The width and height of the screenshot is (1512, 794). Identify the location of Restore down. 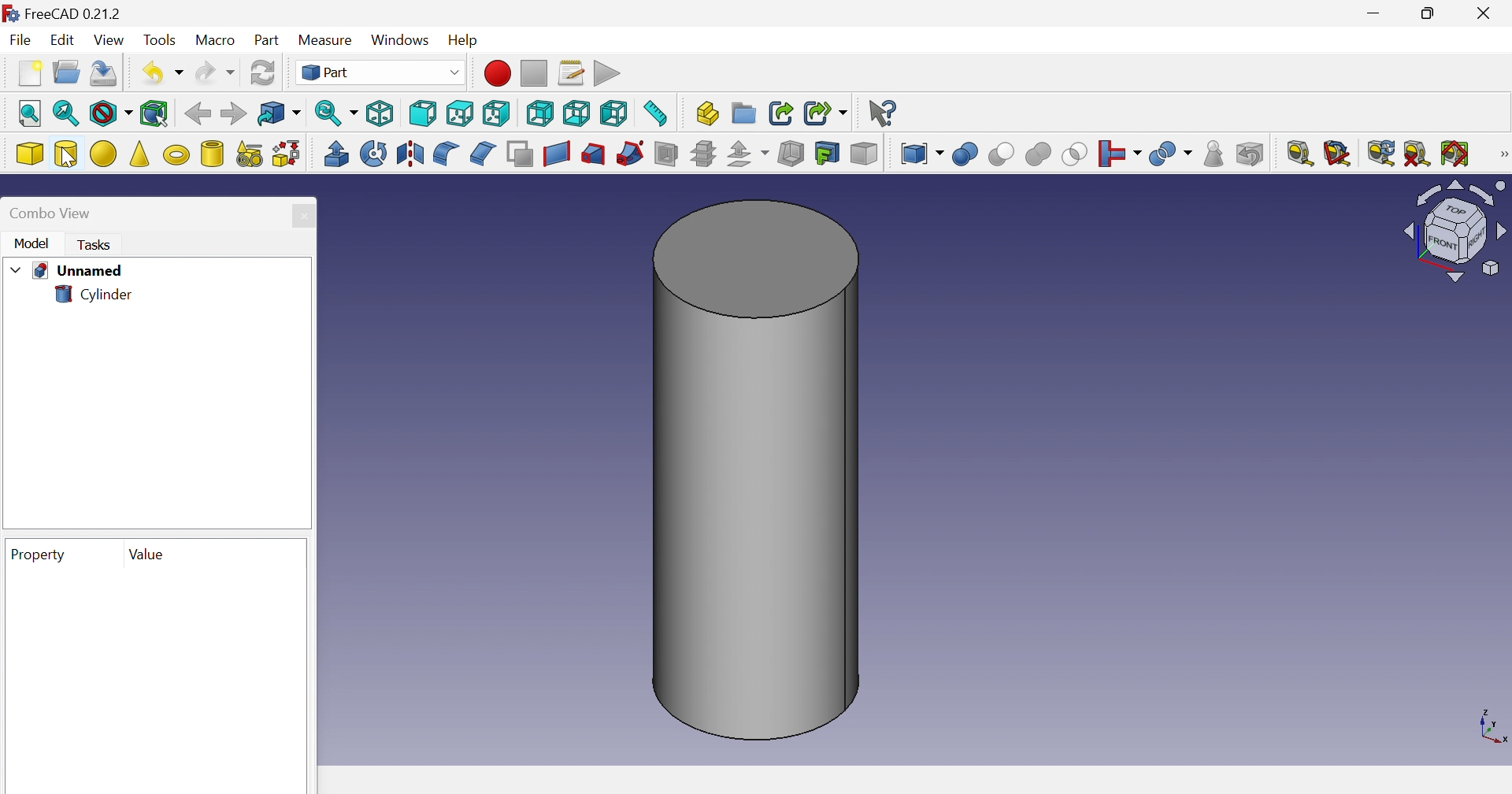
(1432, 13).